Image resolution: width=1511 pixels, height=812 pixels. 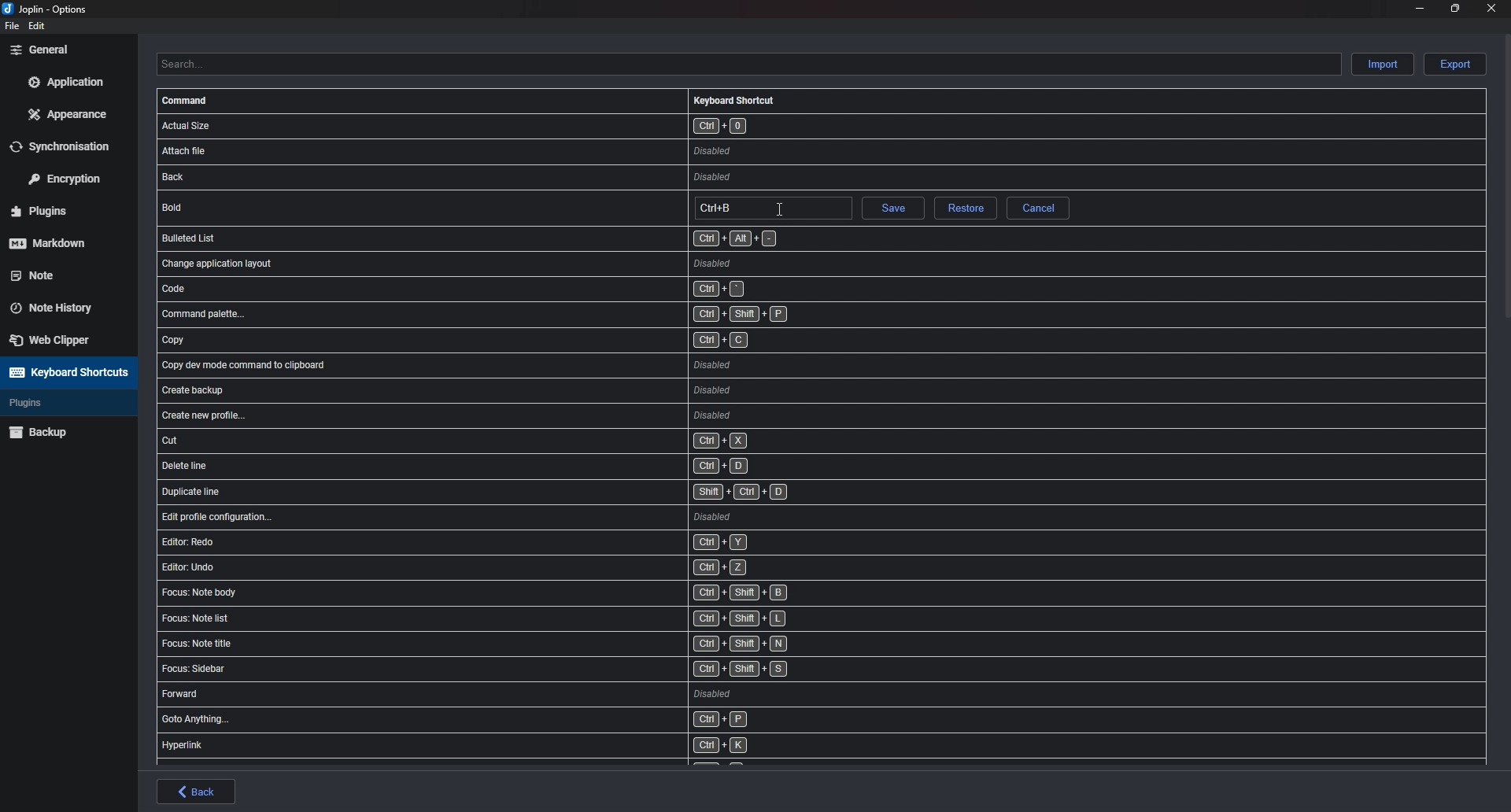 I want to click on Resize, so click(x=1455, y=8).